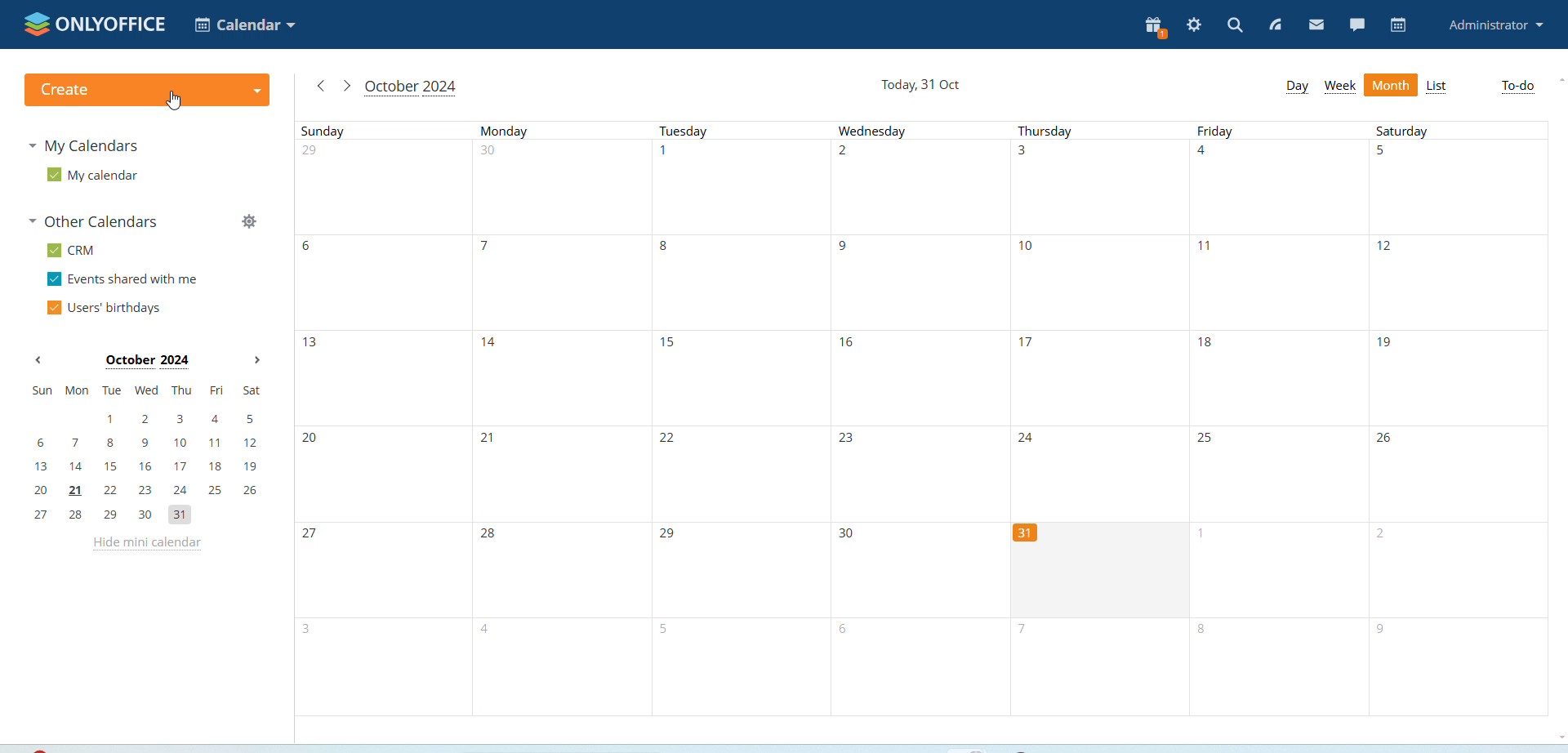  Describe the element at coordinates (1279, 419) in the screenshot. I see `Fridays` at that location.